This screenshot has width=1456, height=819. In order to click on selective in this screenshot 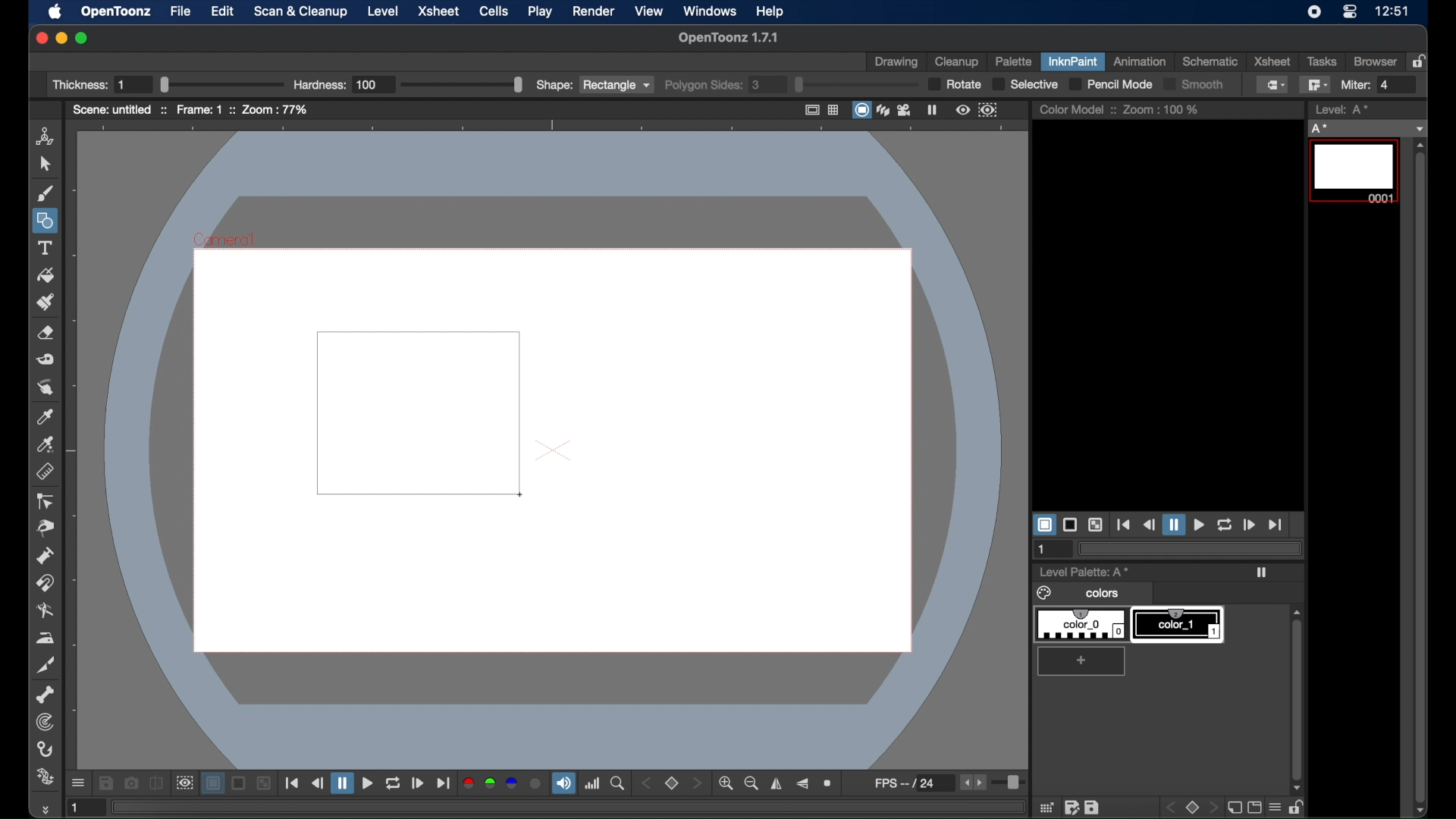, I will do `click(1027, 86)`.